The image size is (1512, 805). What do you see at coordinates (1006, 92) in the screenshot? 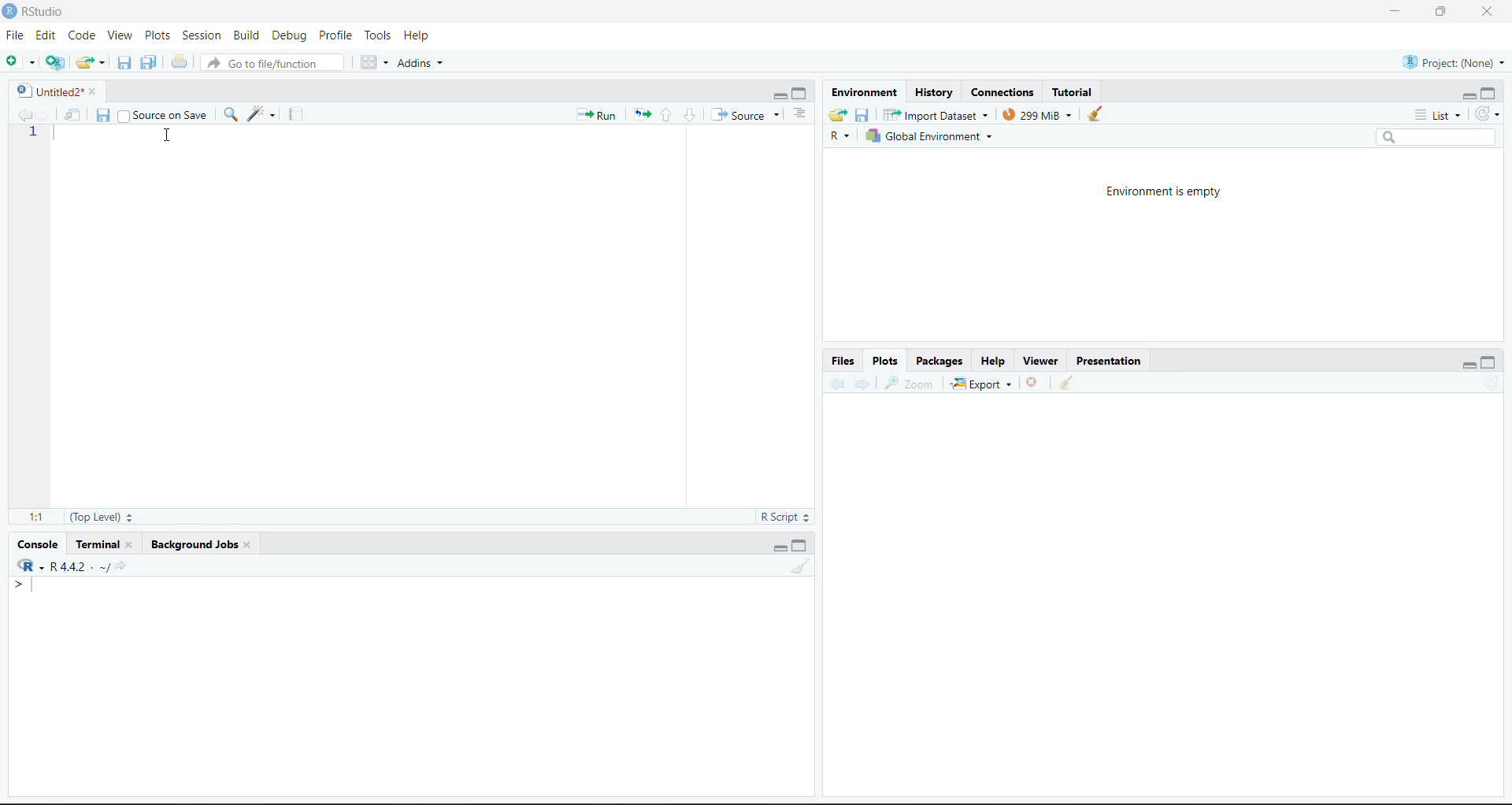
I see `Connections` at bounding box center [1006, 92].